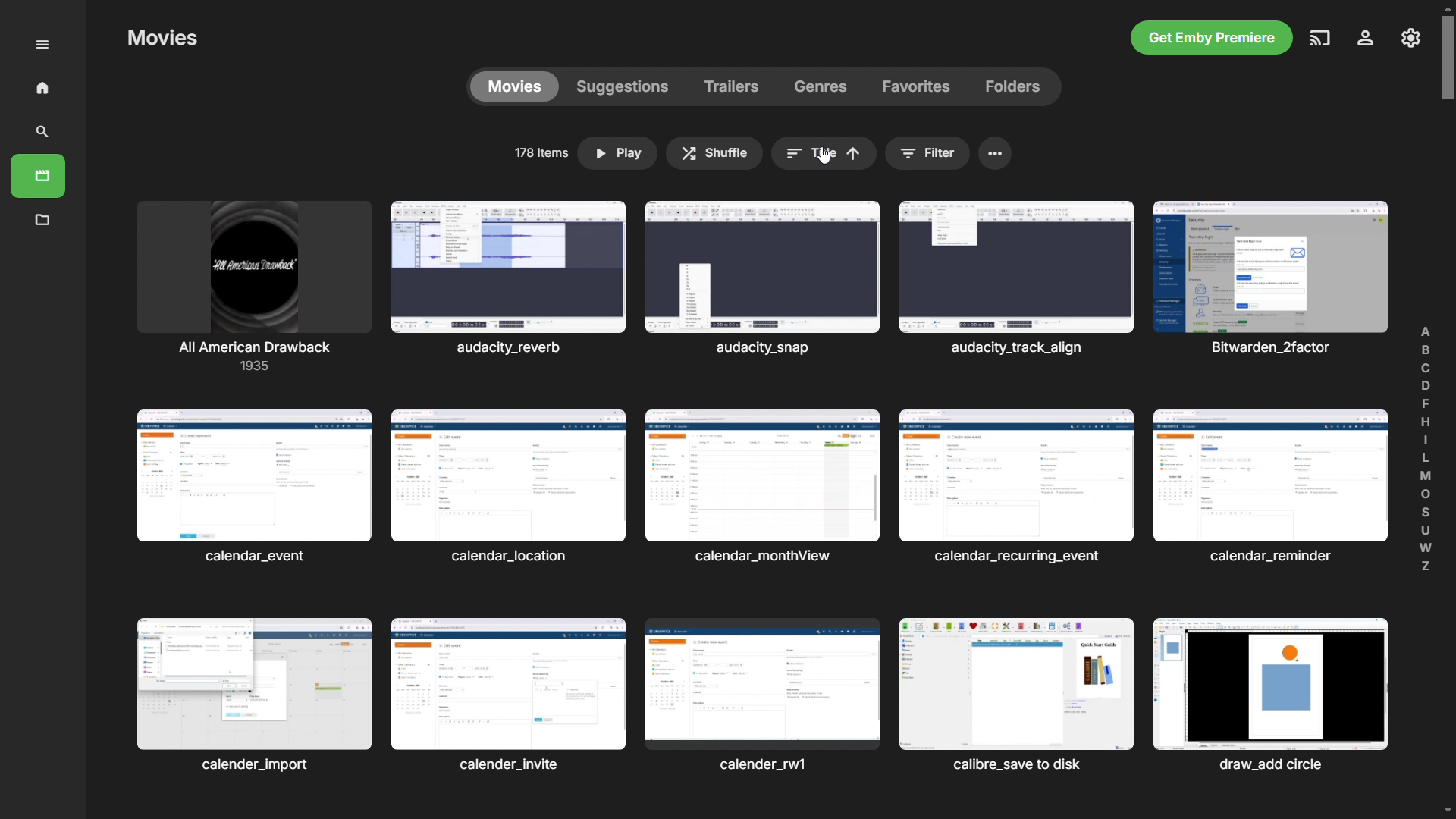 The width and height of the screenshot is (1456, 819). Describe the element at coordinates (252, 695) in the screenshot. I see `` at that location.